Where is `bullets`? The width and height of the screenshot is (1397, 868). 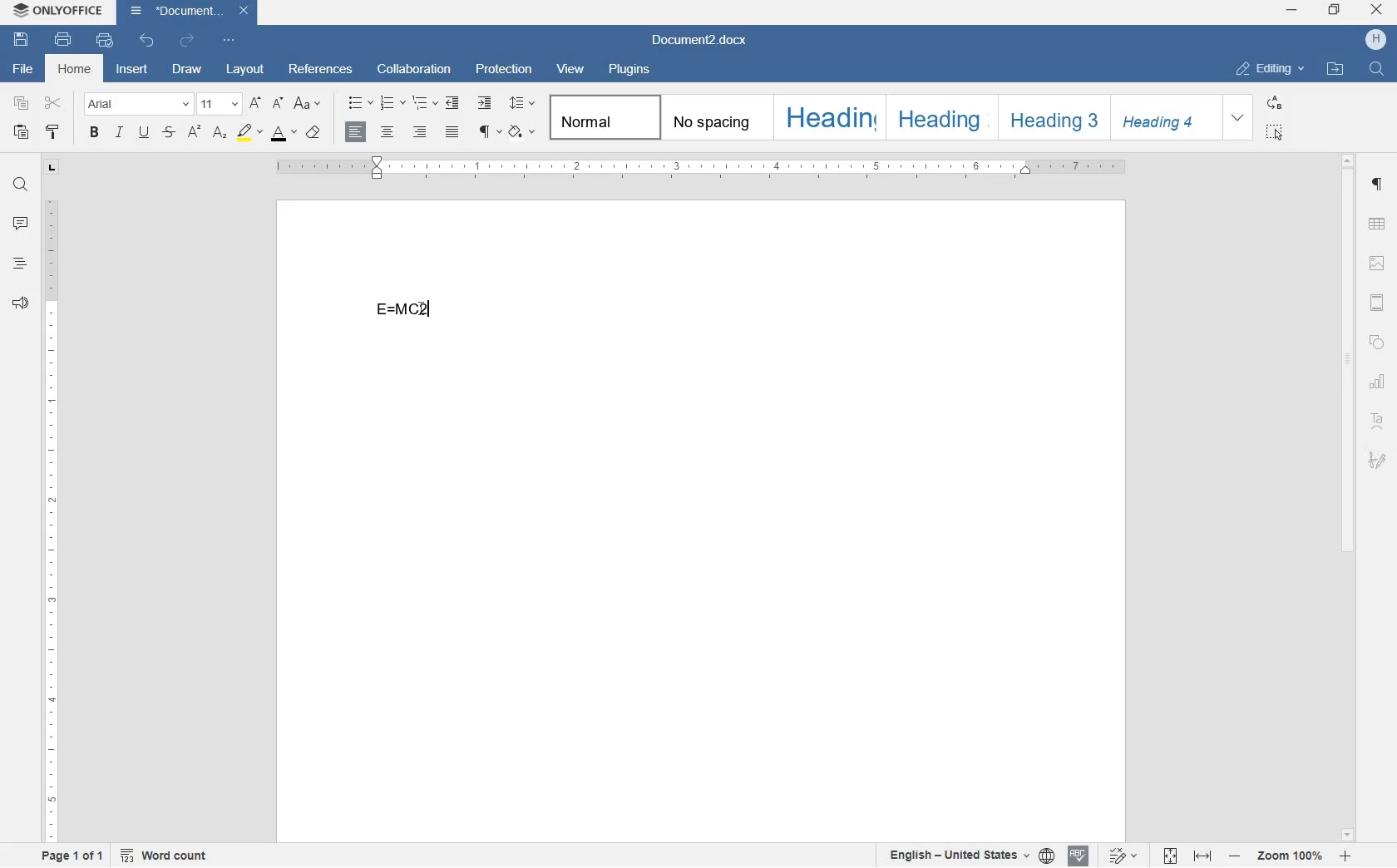
bullets is located at coordinates (361, 103).